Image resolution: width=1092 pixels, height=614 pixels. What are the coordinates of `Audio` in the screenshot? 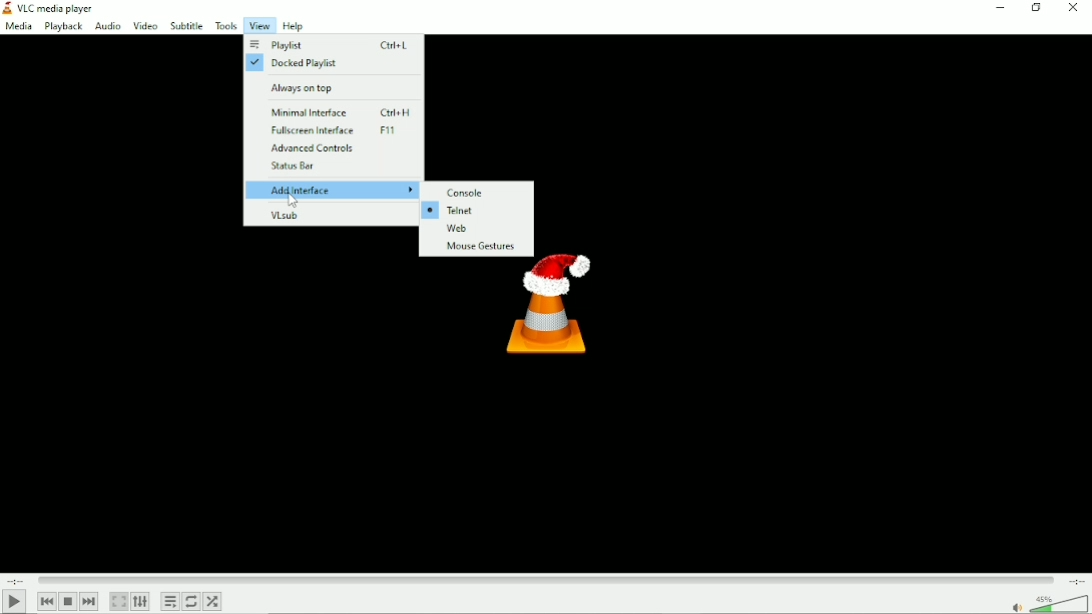 It's located at (106, 26).